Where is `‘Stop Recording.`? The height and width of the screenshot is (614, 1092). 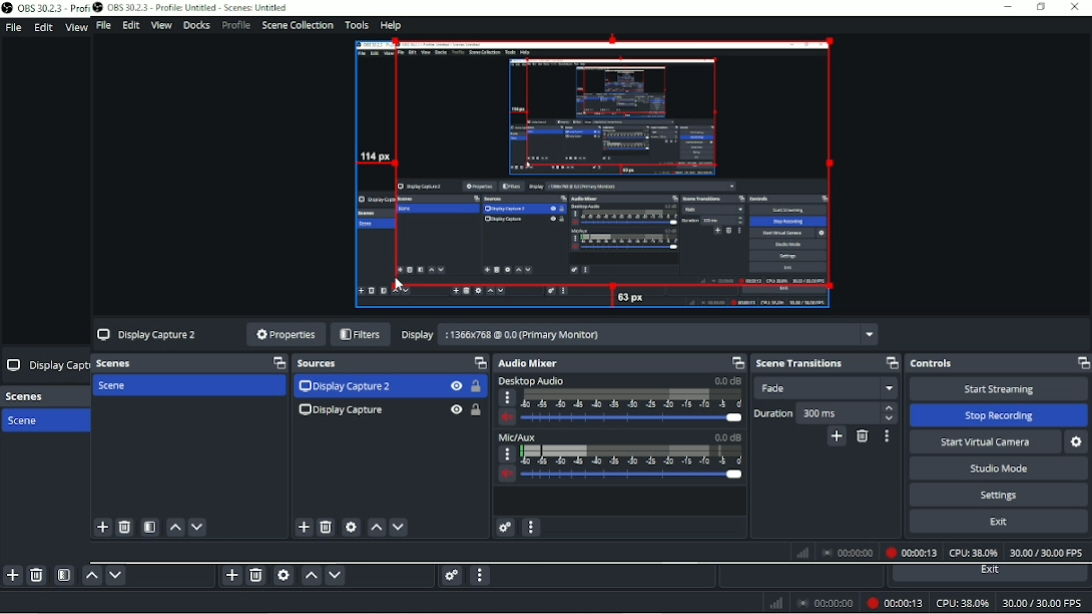 ‘Stop Recording. is located at coordinates (993, 414).